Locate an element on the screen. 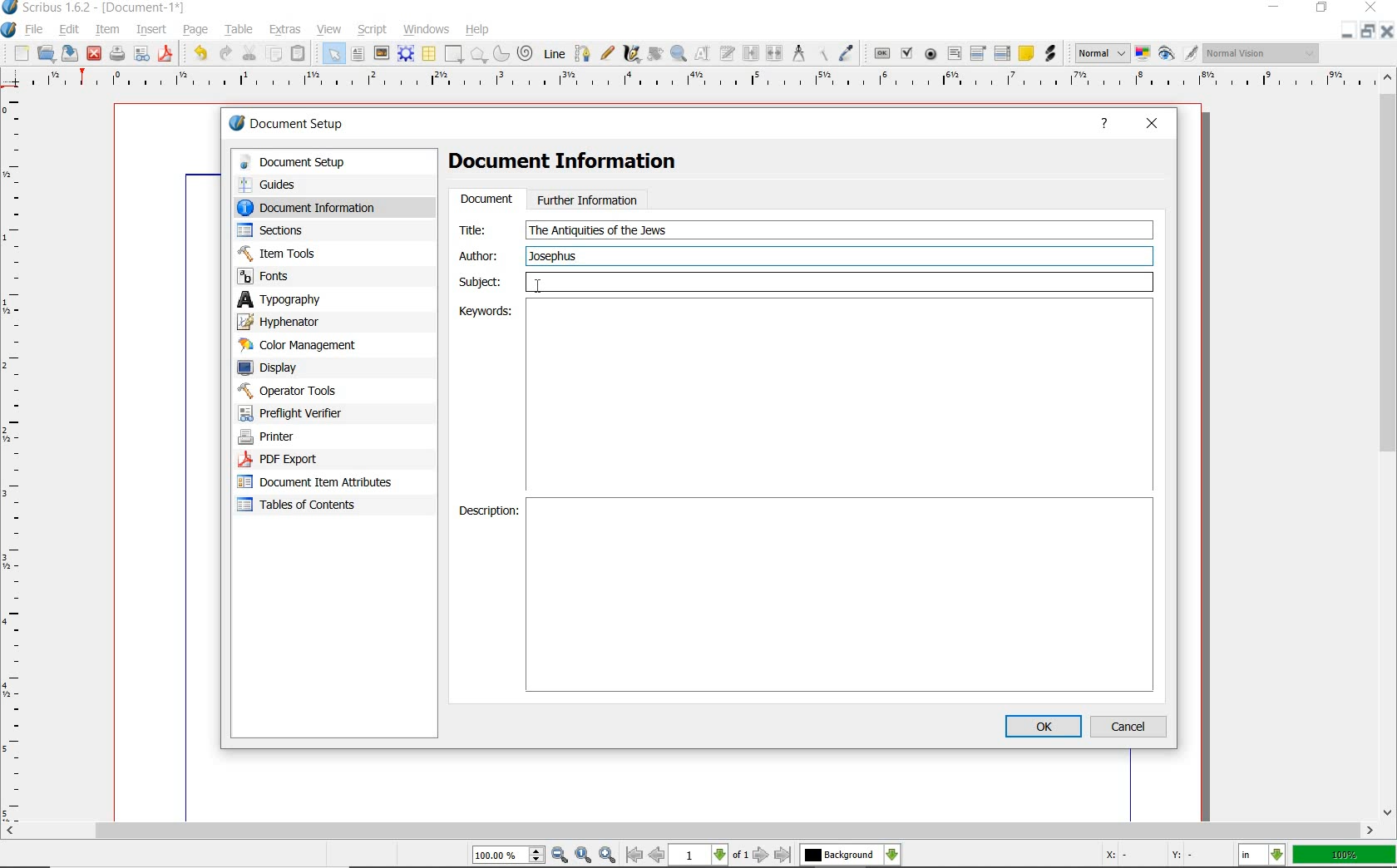 This screenshot has width=1397, height=868. new is located at coordinates (20, 53).